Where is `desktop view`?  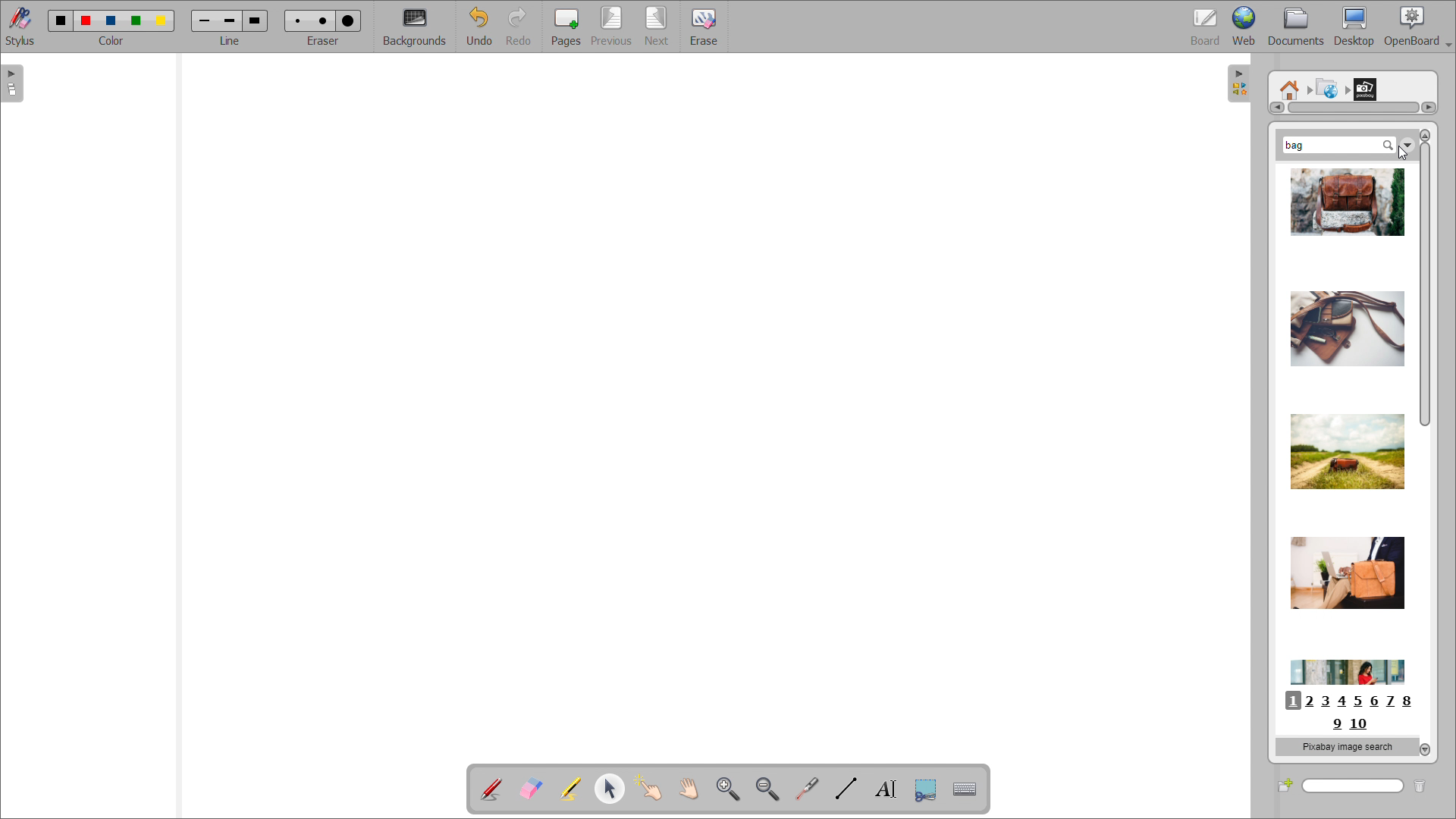
desktop view is located at coordinates (1355, 27).